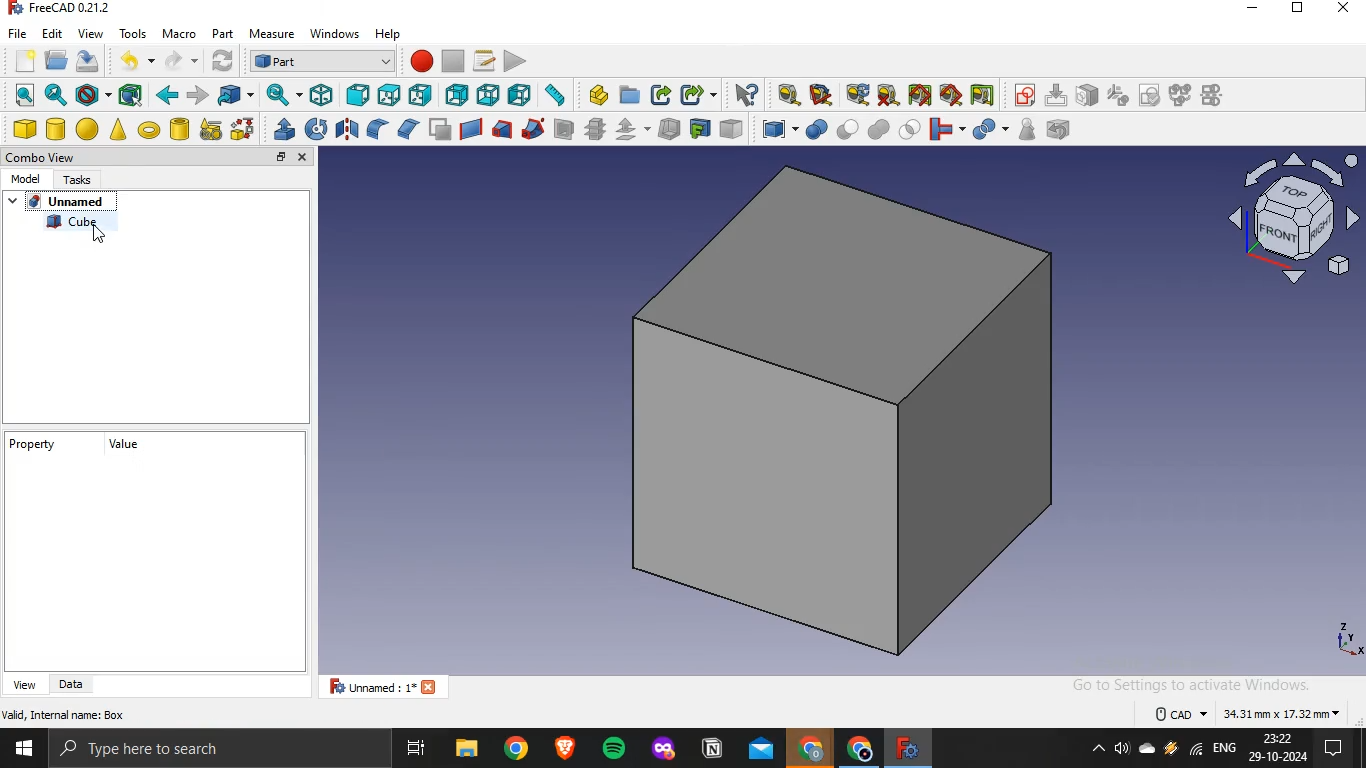 Image resolution: width=1366 pixels, height=768 pixels. I want to click on clear all, so click(888, 95).